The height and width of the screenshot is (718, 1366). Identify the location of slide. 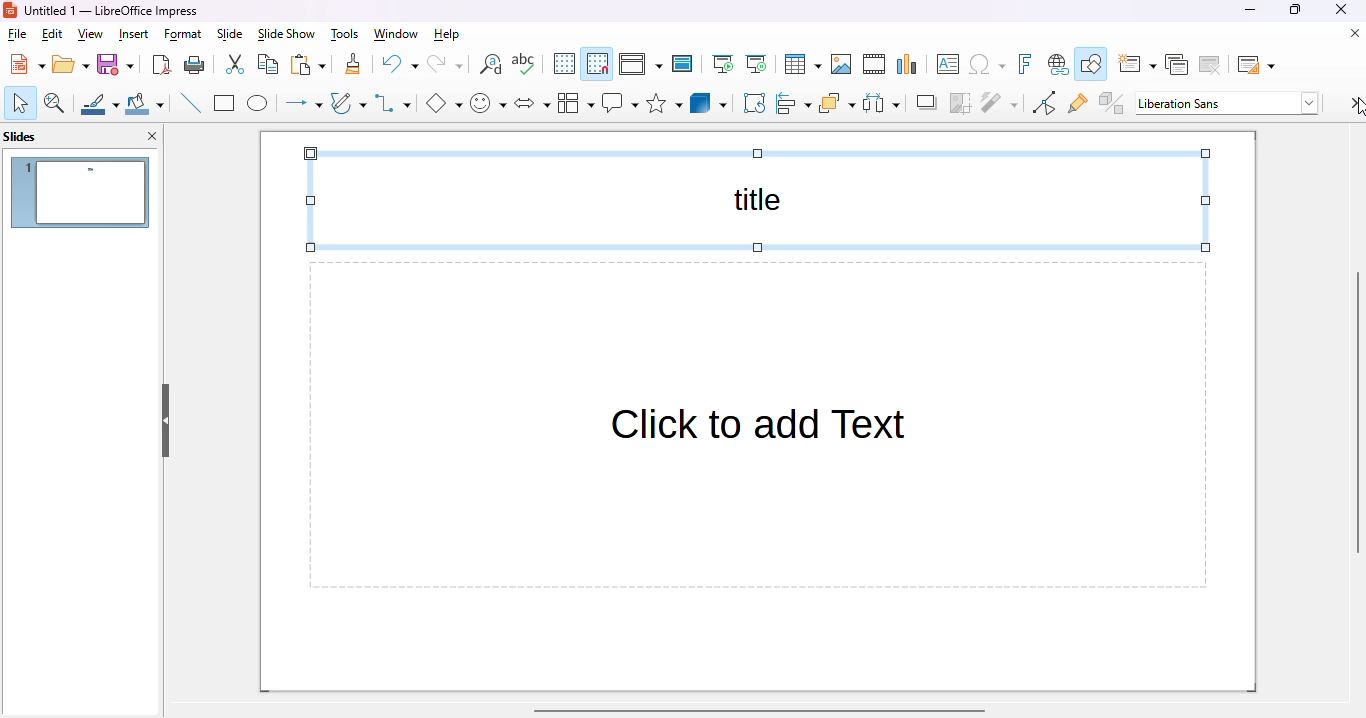
(231, 35).